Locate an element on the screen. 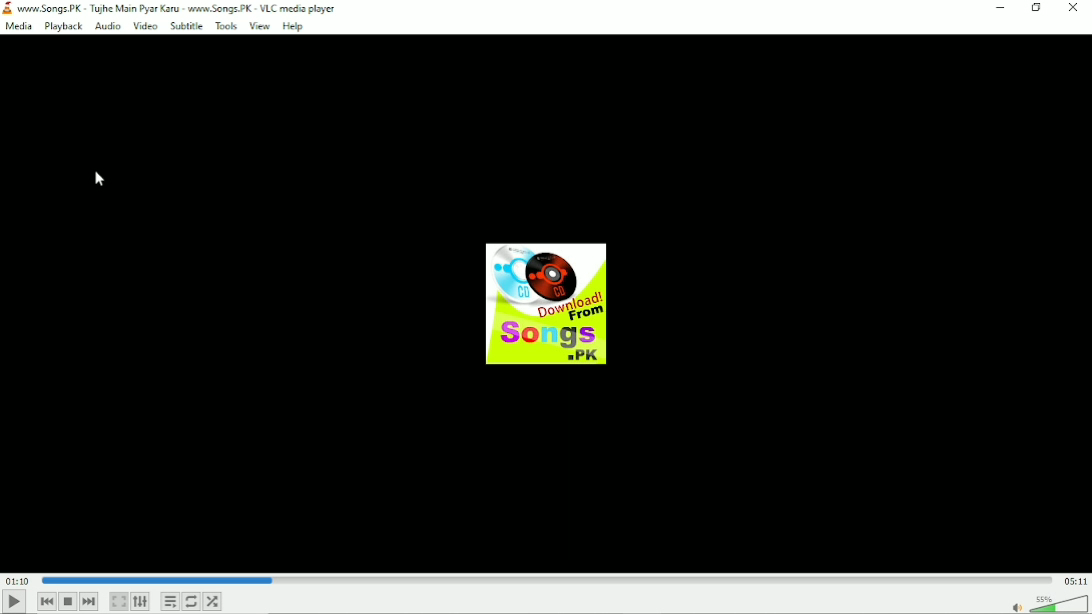  Previous is located at coordinates (47, 602).